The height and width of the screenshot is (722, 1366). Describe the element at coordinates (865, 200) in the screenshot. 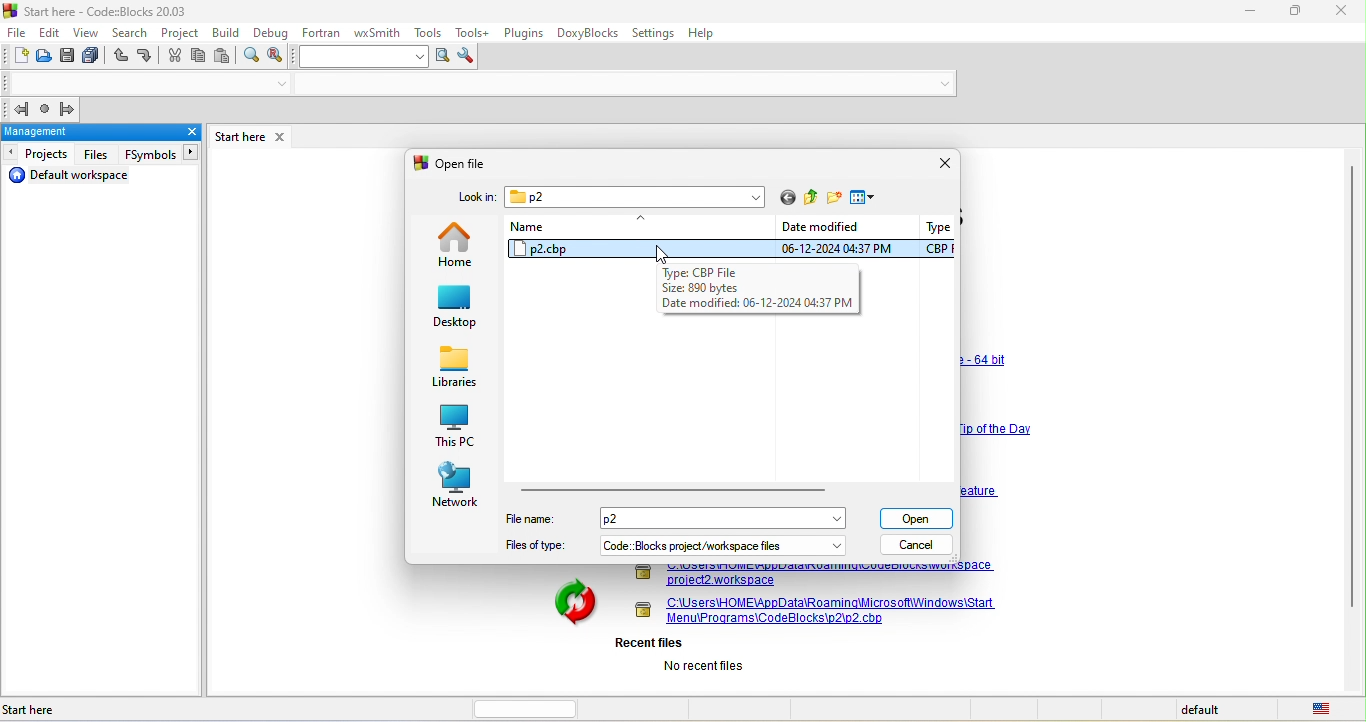

I see `view menu` at that location.